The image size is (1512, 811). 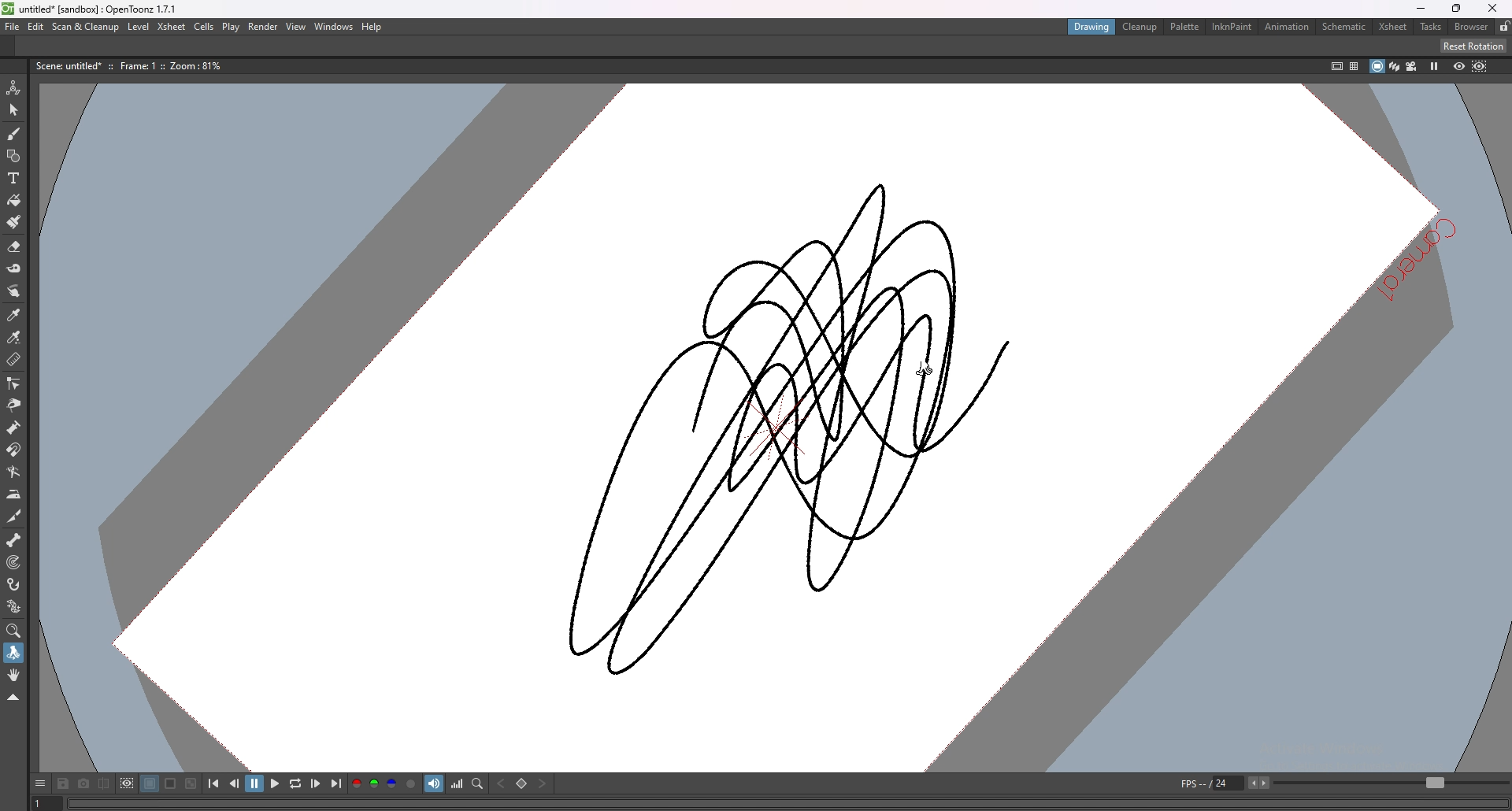 What do you see at coordinates (232, 26) in the screenshot?
I see `play` at bounding box center [232, 26].